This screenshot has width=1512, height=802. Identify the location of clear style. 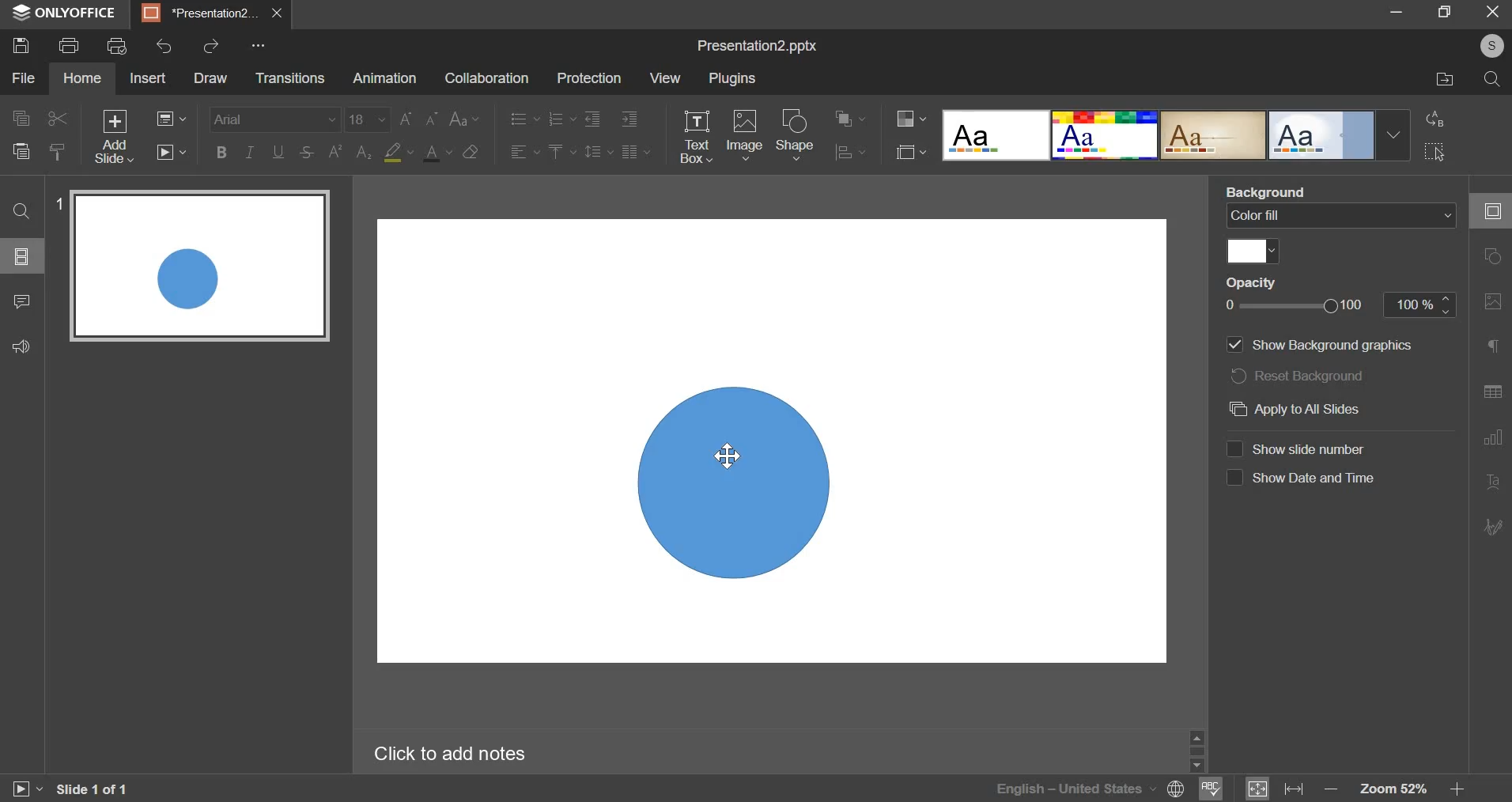
(471, 153).